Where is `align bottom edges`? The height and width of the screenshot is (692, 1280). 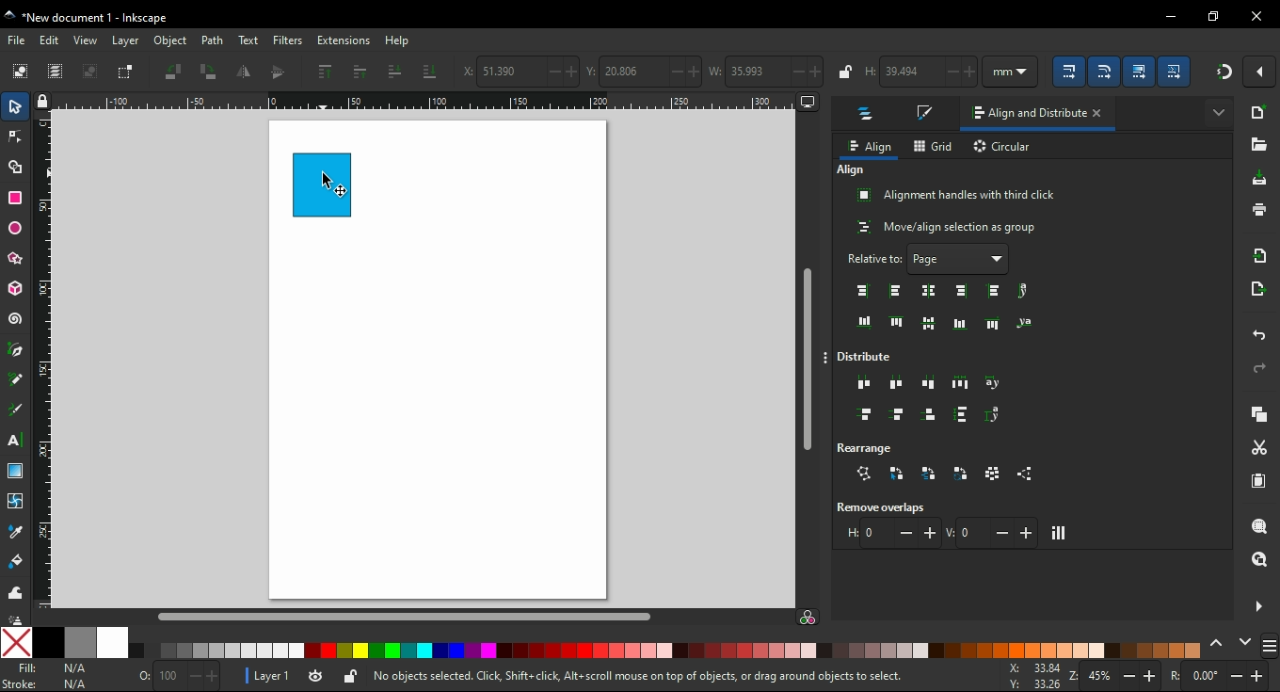
align bottom edges is located at coordinates (929, 324).